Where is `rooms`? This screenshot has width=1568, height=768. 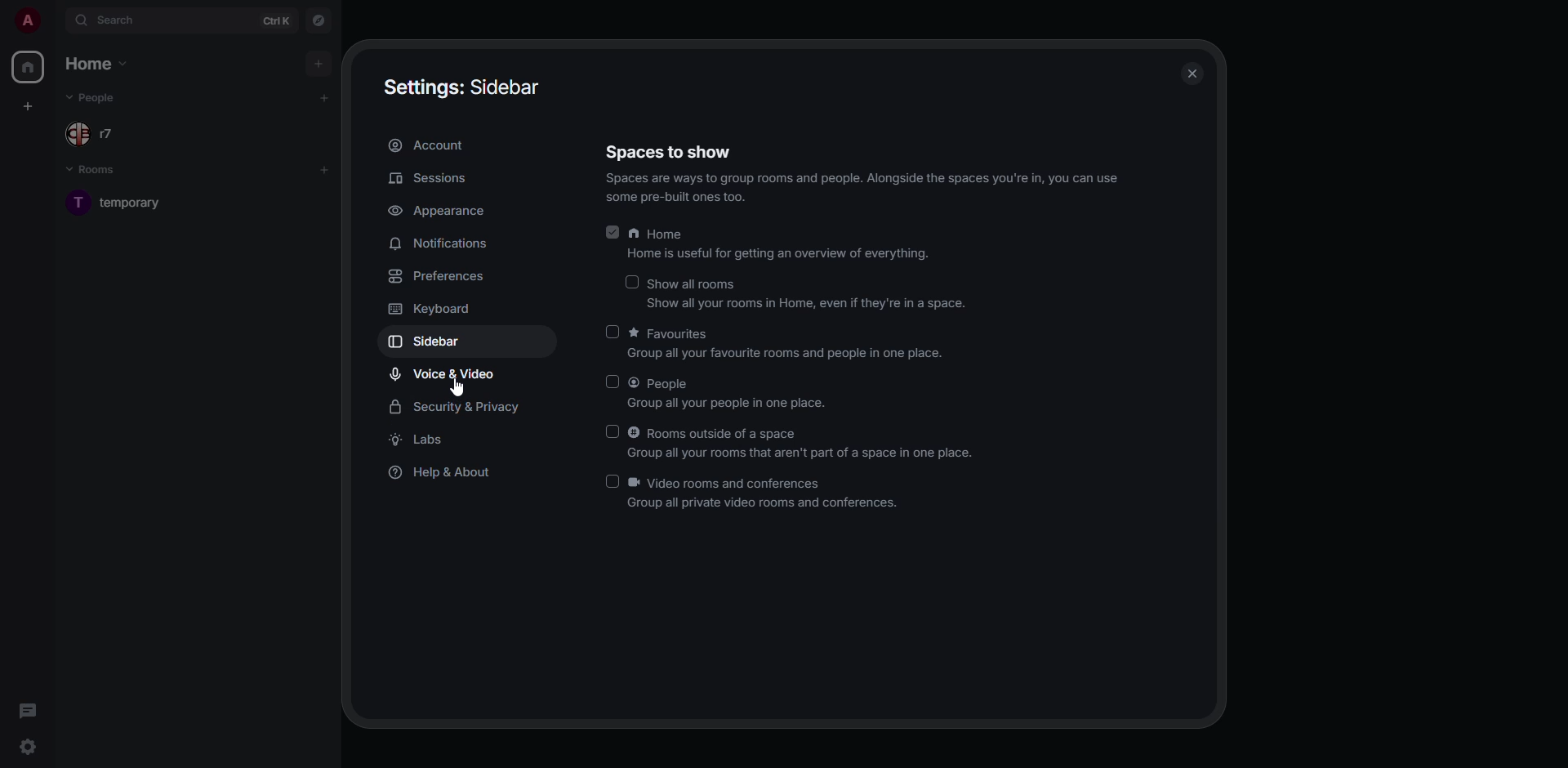 rooms is located at coordinates (94, 169).